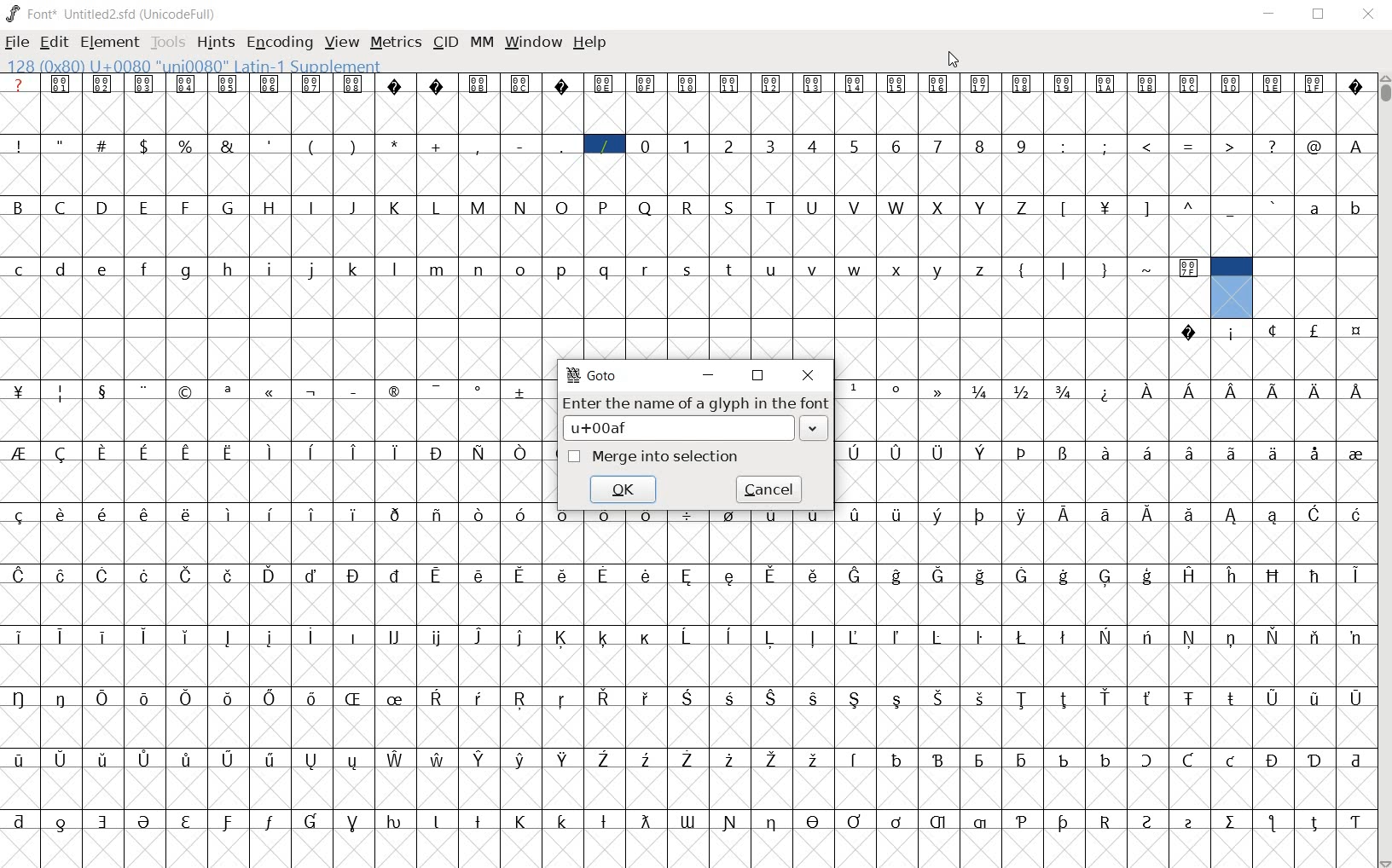 This screenshot has width=1392, height=868. Describe the element at coordinates (815, 820) in the screenshot. I see `Symbol` at that location.